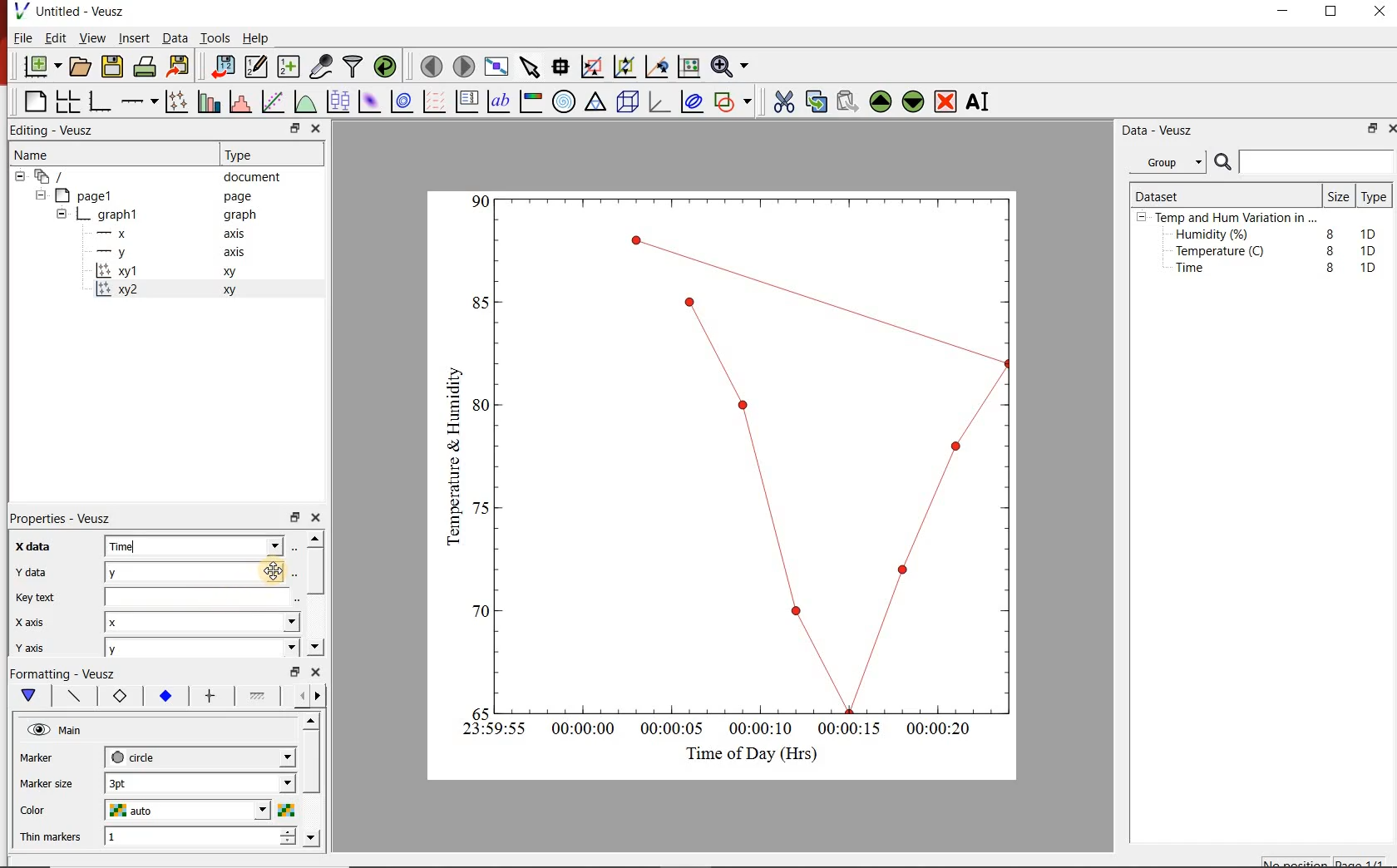 The width and height of the screenshot is (1397, 868). Describe the element at coordinates (259, 697) in the screenshot. I see `fill 1` at that location.